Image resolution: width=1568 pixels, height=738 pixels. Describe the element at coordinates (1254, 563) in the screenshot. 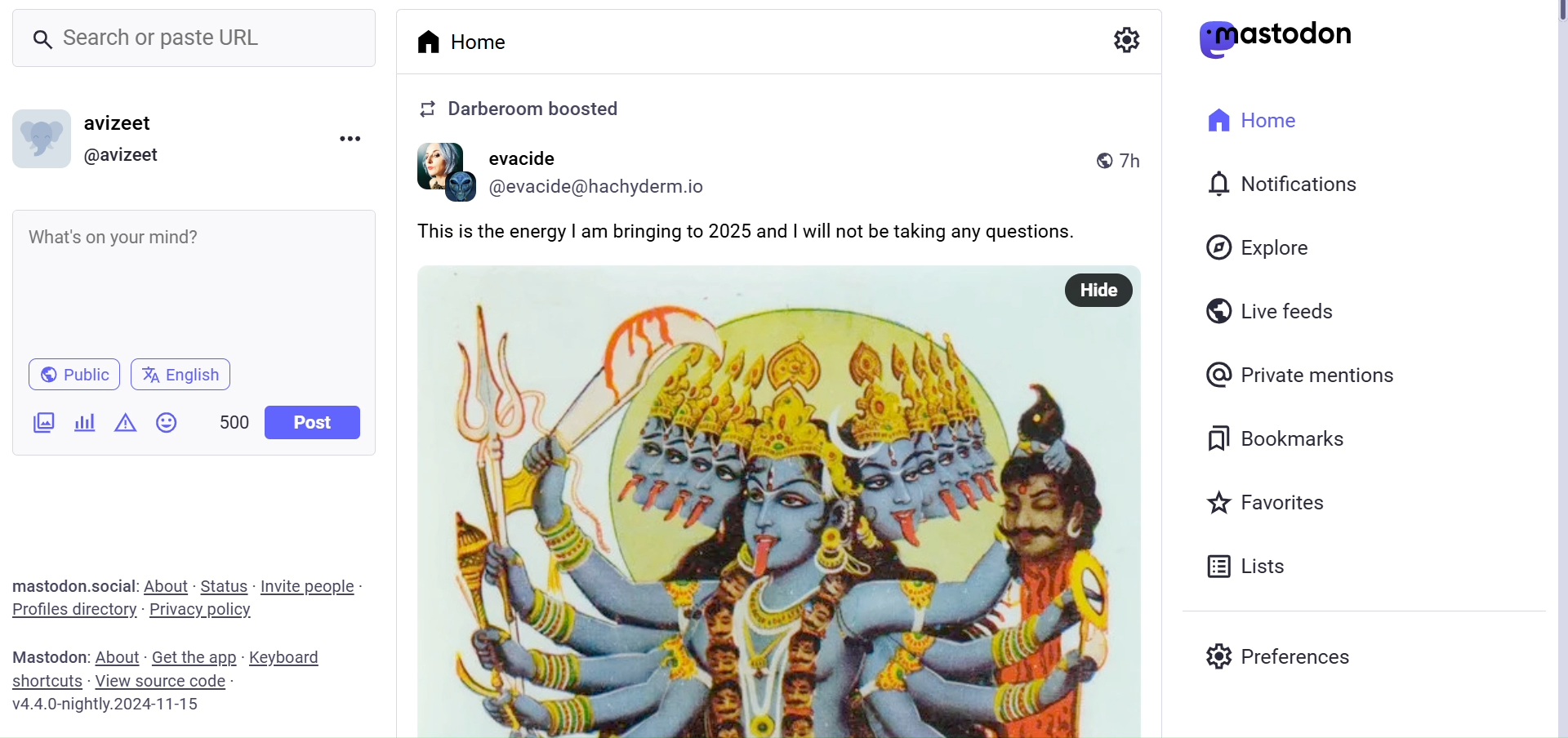

I see `Lists` at that location.